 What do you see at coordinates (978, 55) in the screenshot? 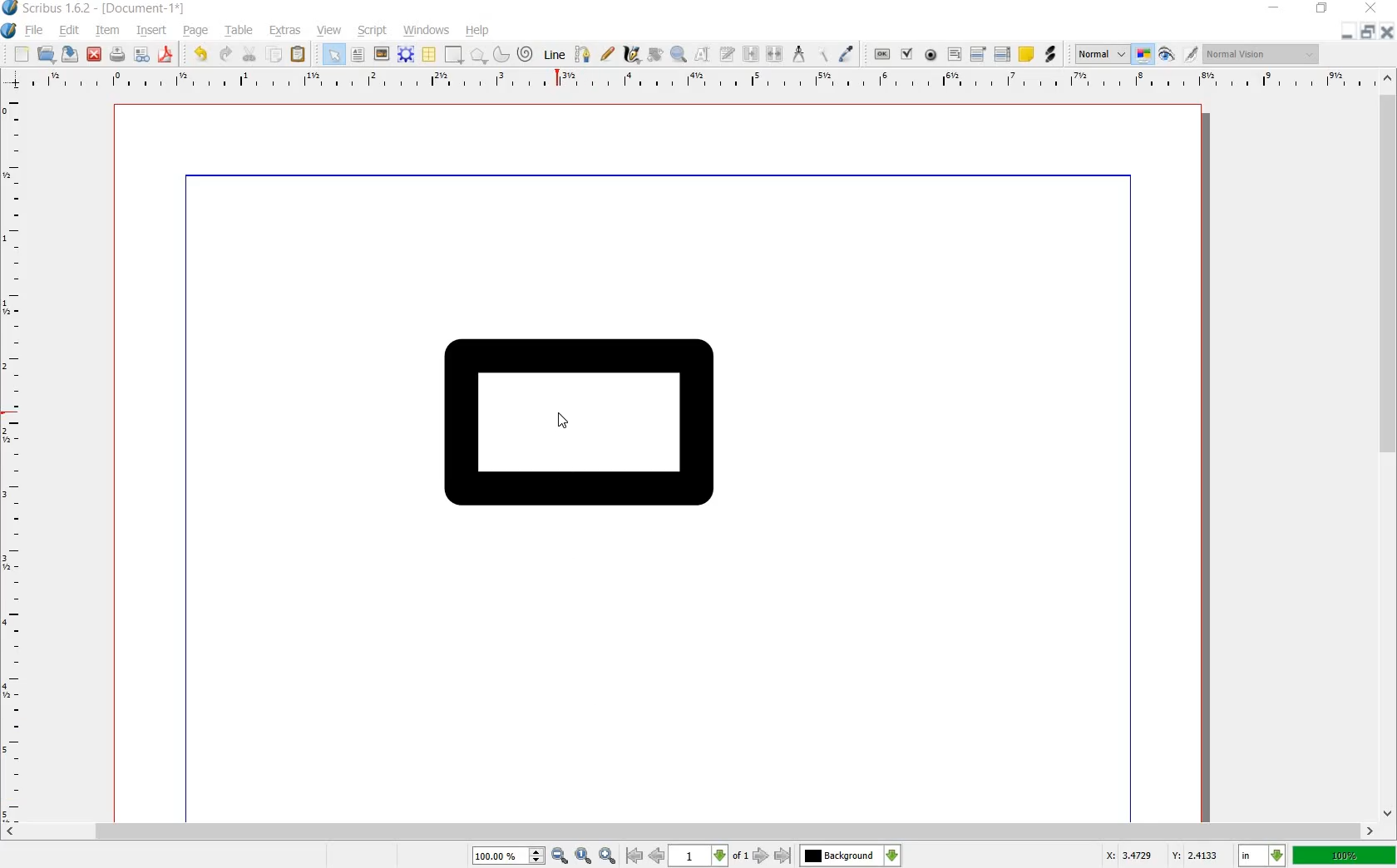
I see `pdf combo box` at bounding box center [978, 55].